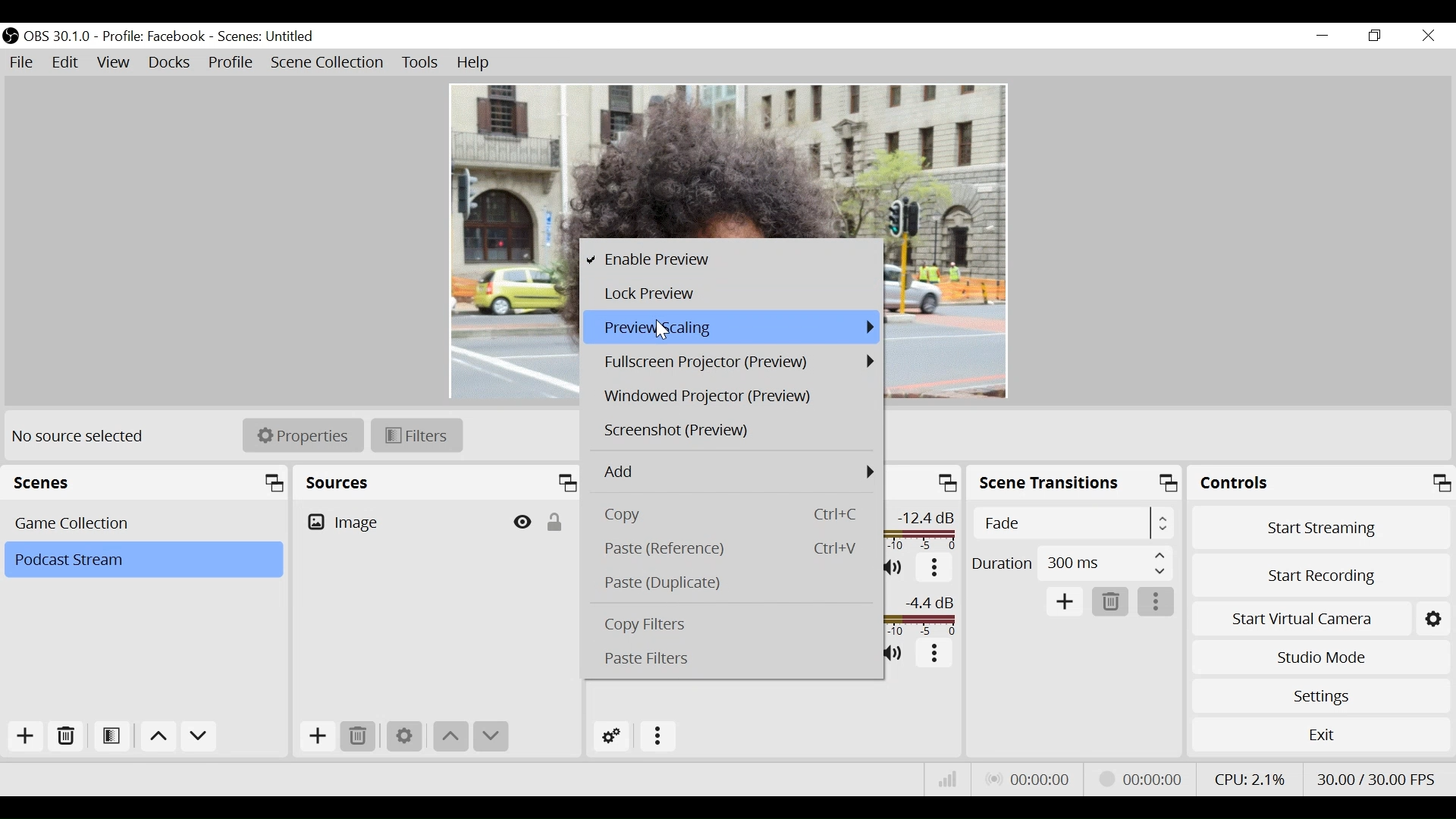  What do you see at coordinates (452, 736) in the screenshot?
I see `Move up` at bounding box center [452, 736].